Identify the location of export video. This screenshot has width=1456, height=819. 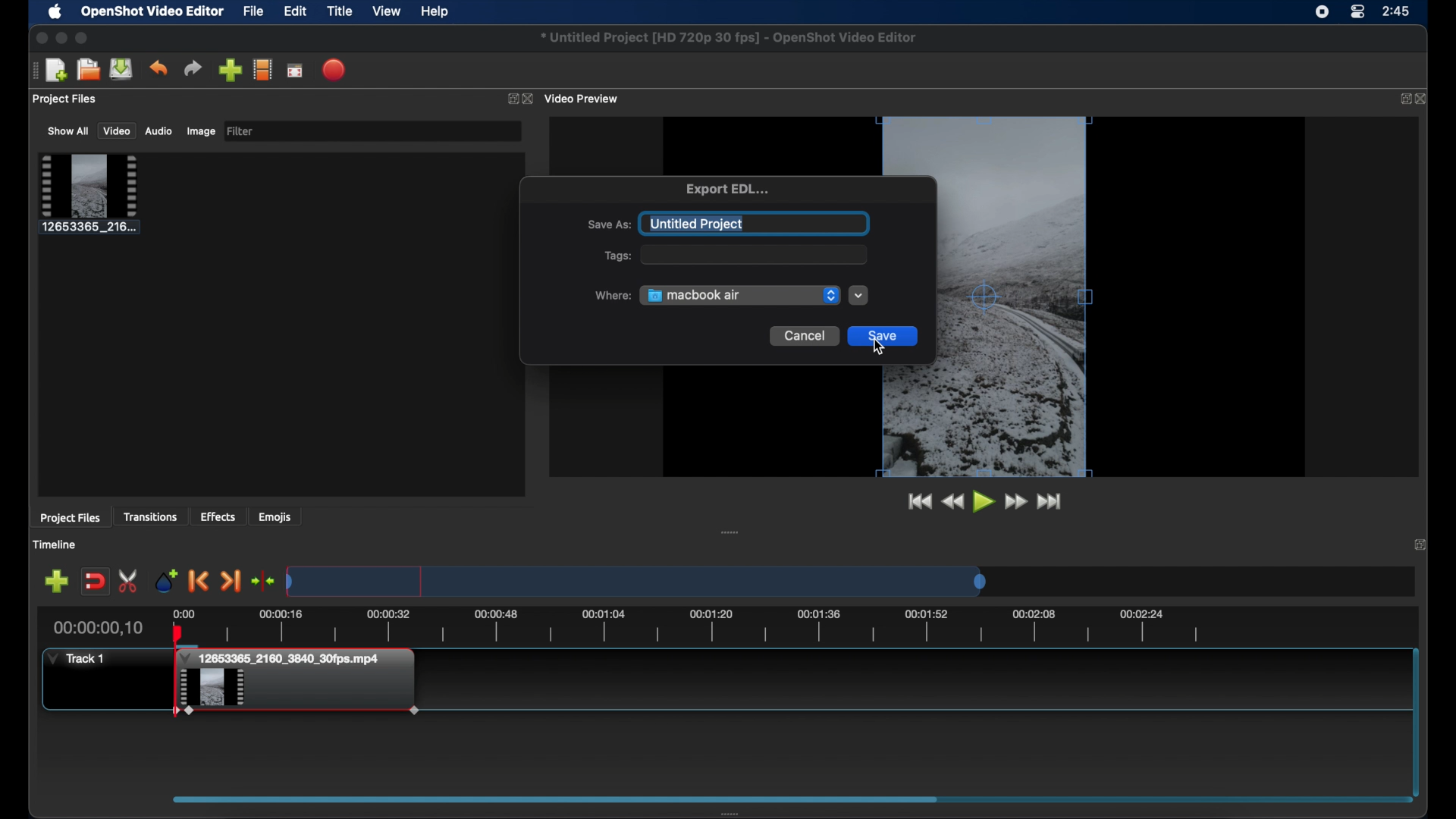
(334, 71).